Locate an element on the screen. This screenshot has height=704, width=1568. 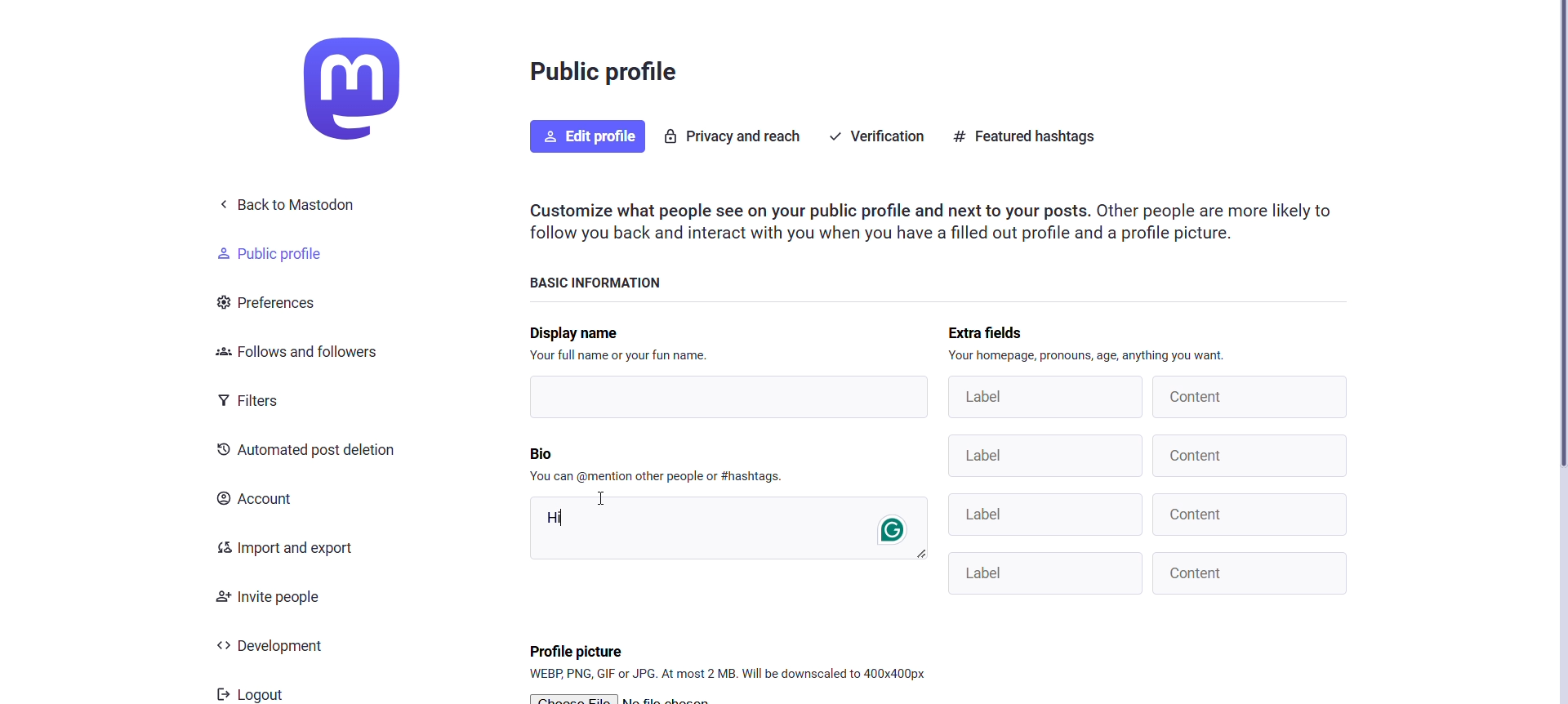
 is located at coordinates (1048, 573).